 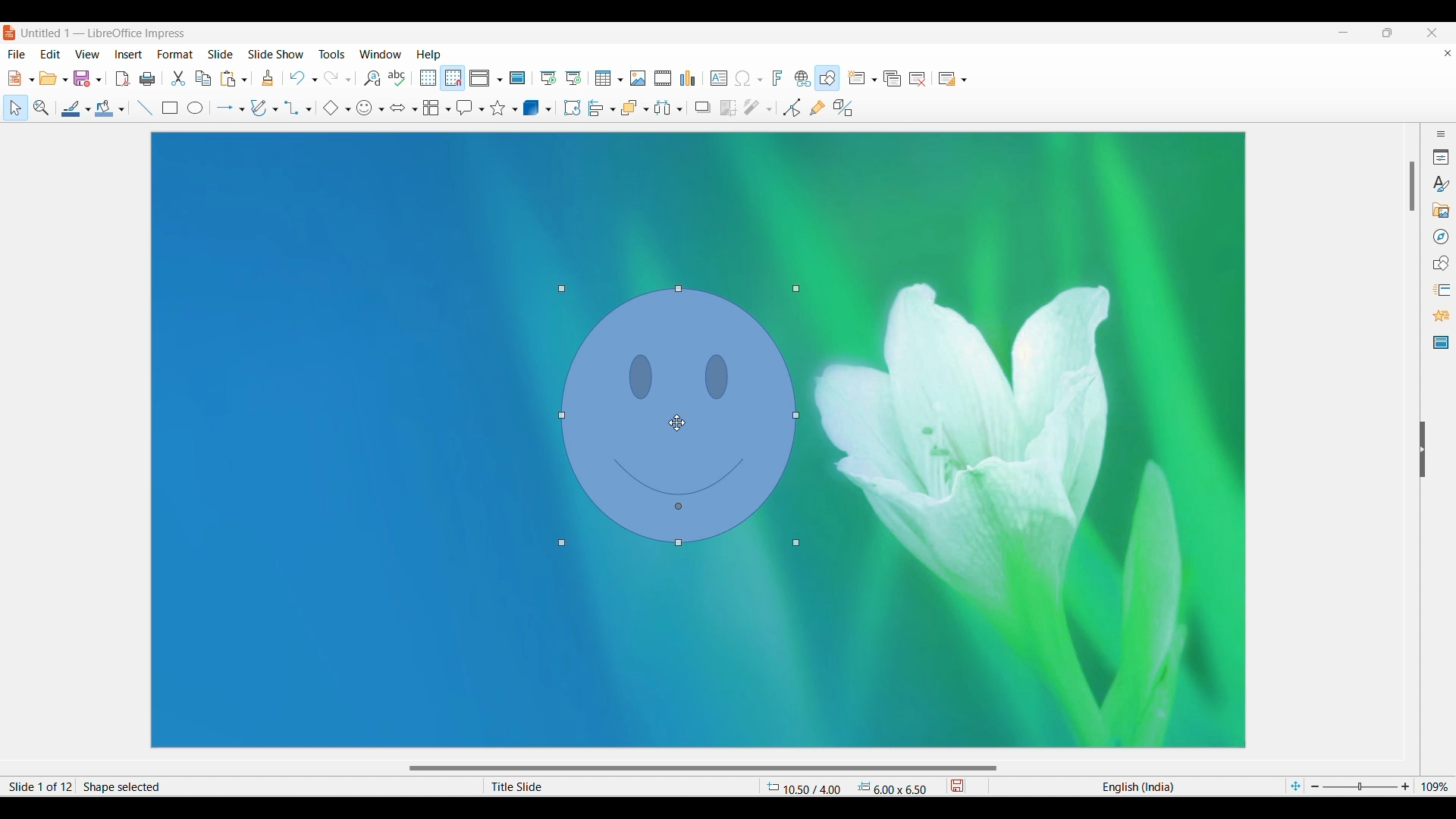 I want to click on Special character chosen, so click(x=742, y=79).